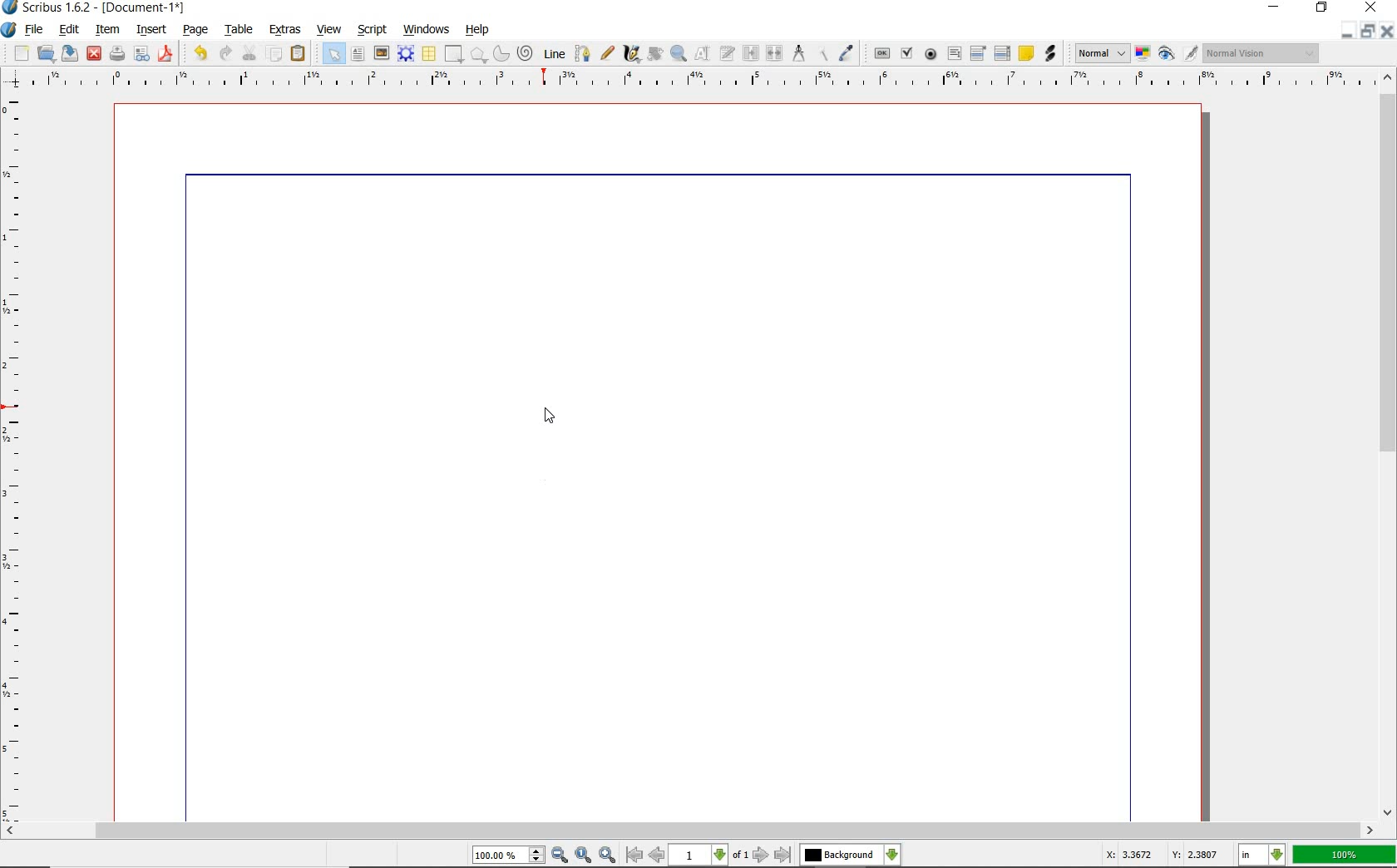 Image resolution: width=1397 pixels, height=868 pixels. What do you see at coordinates (848, 52) in the screenshot?
I see `eye dropper` at bounding box center [848, 52].